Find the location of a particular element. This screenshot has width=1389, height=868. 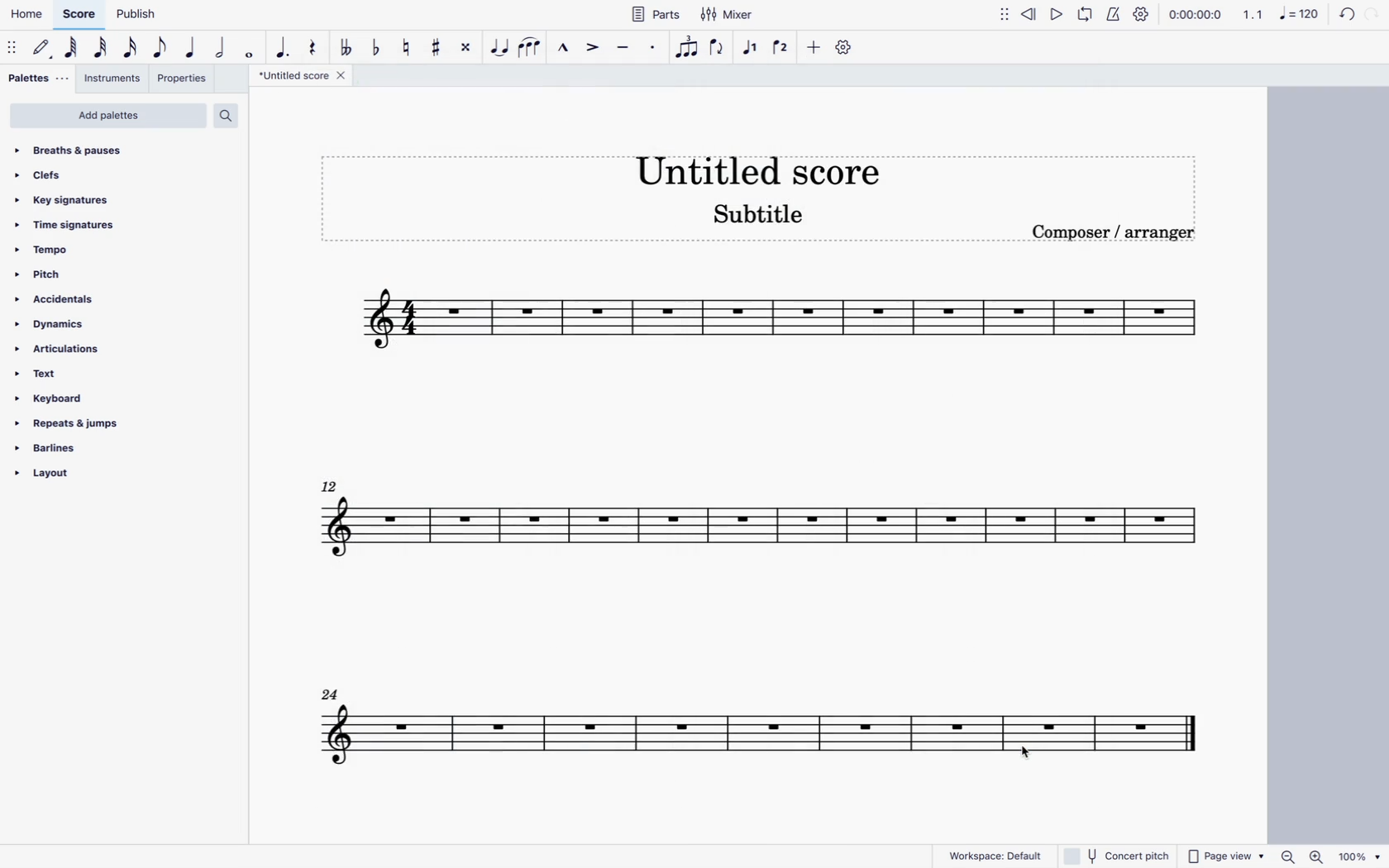

accent  is located at coordinates (594, 51).